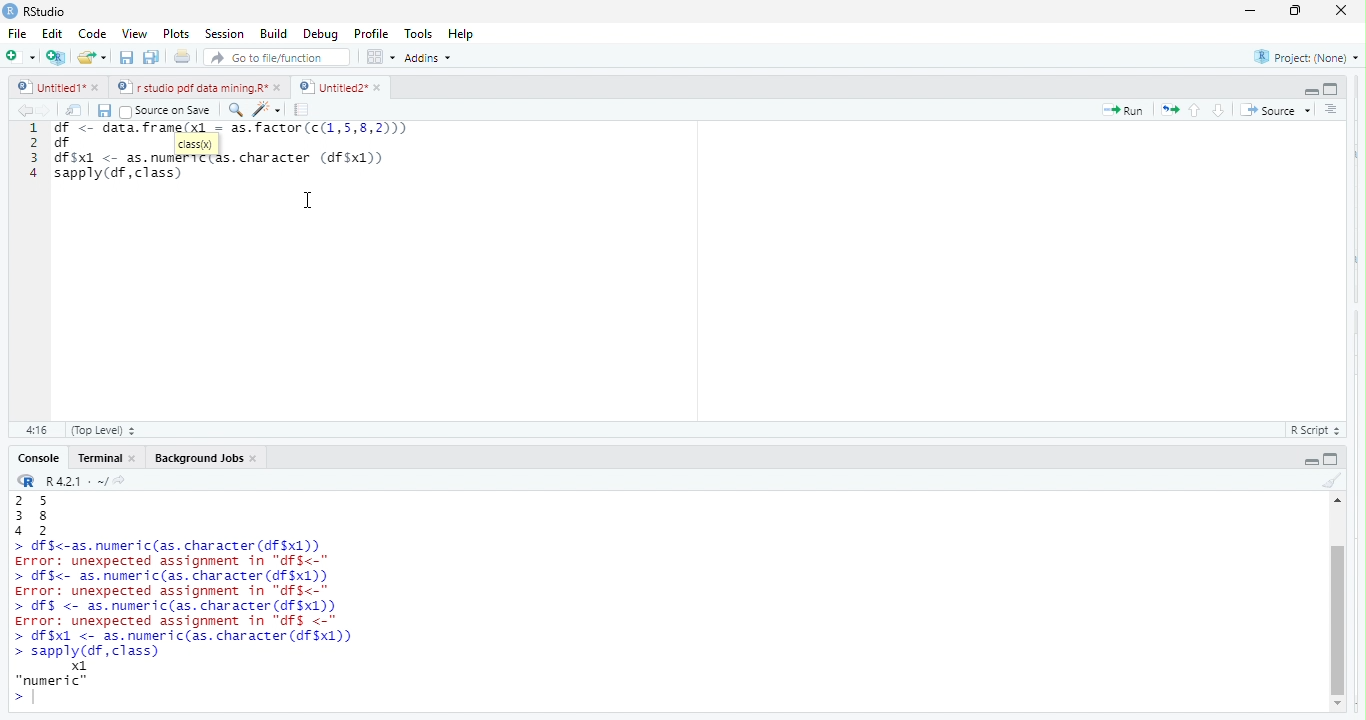  I want to click on show in new window., so click(76, 111).